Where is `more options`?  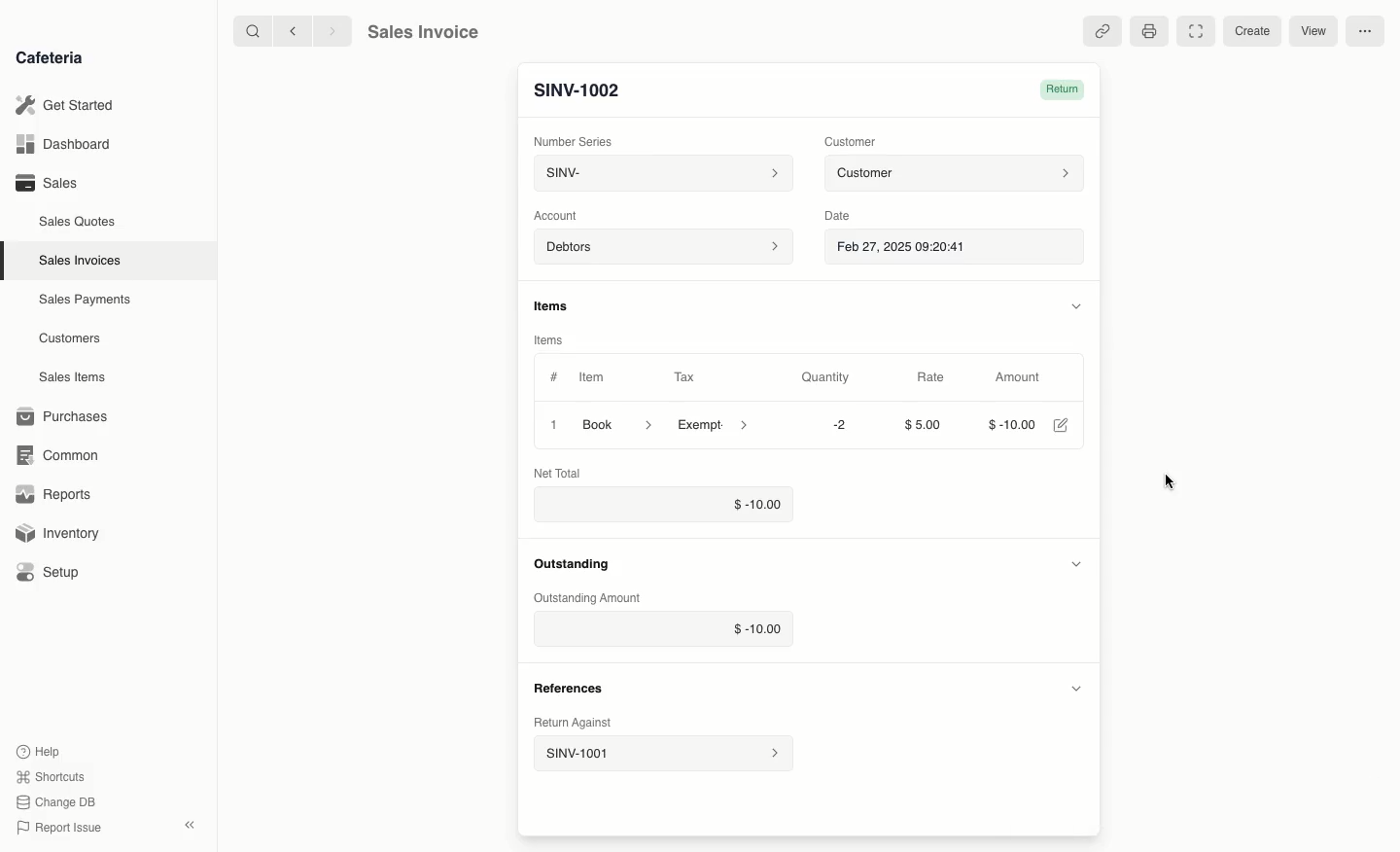 more options is located at coordinates (1366, 32).